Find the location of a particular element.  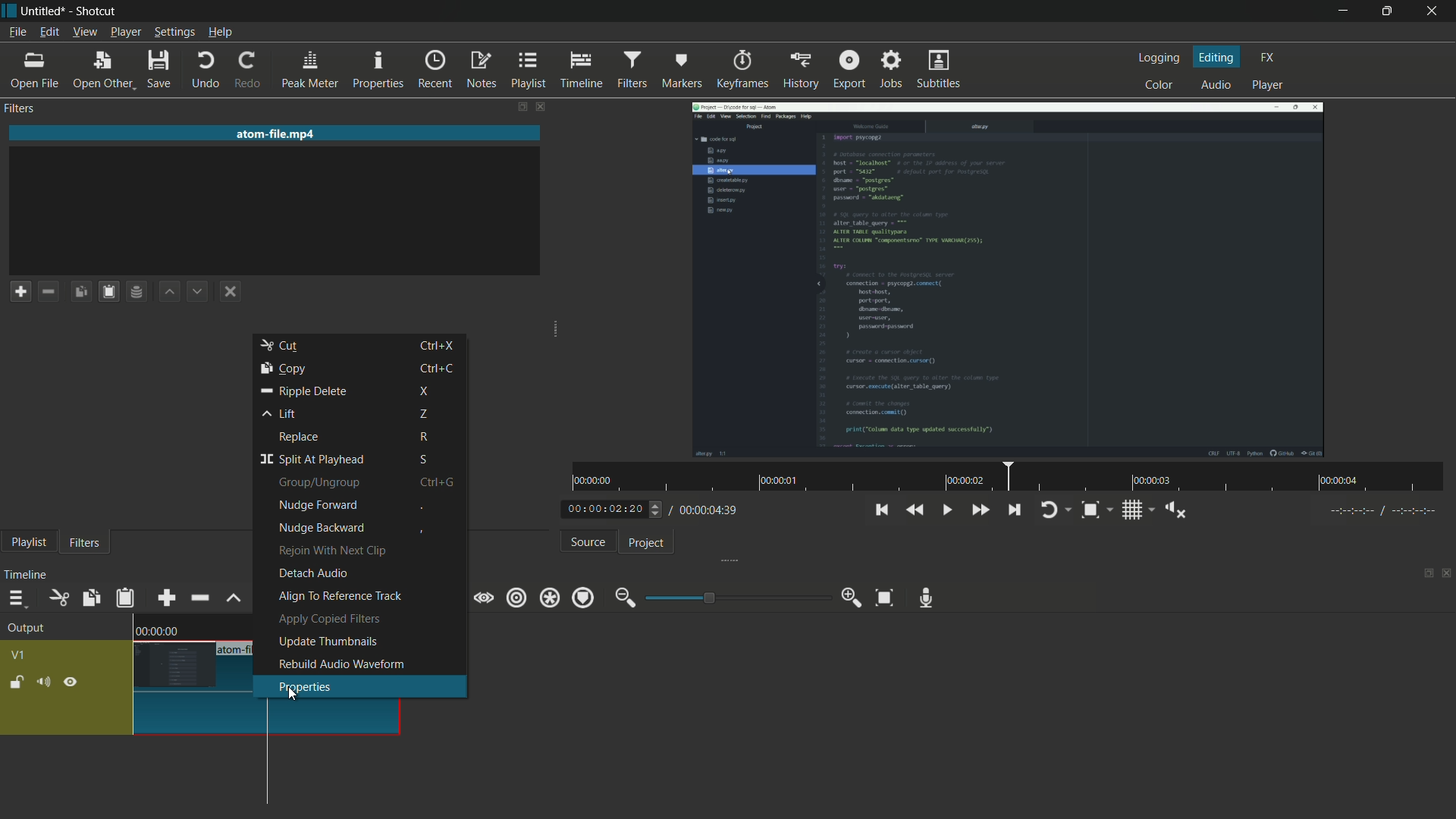

group/ungroup is located at coordinates (318, 484).